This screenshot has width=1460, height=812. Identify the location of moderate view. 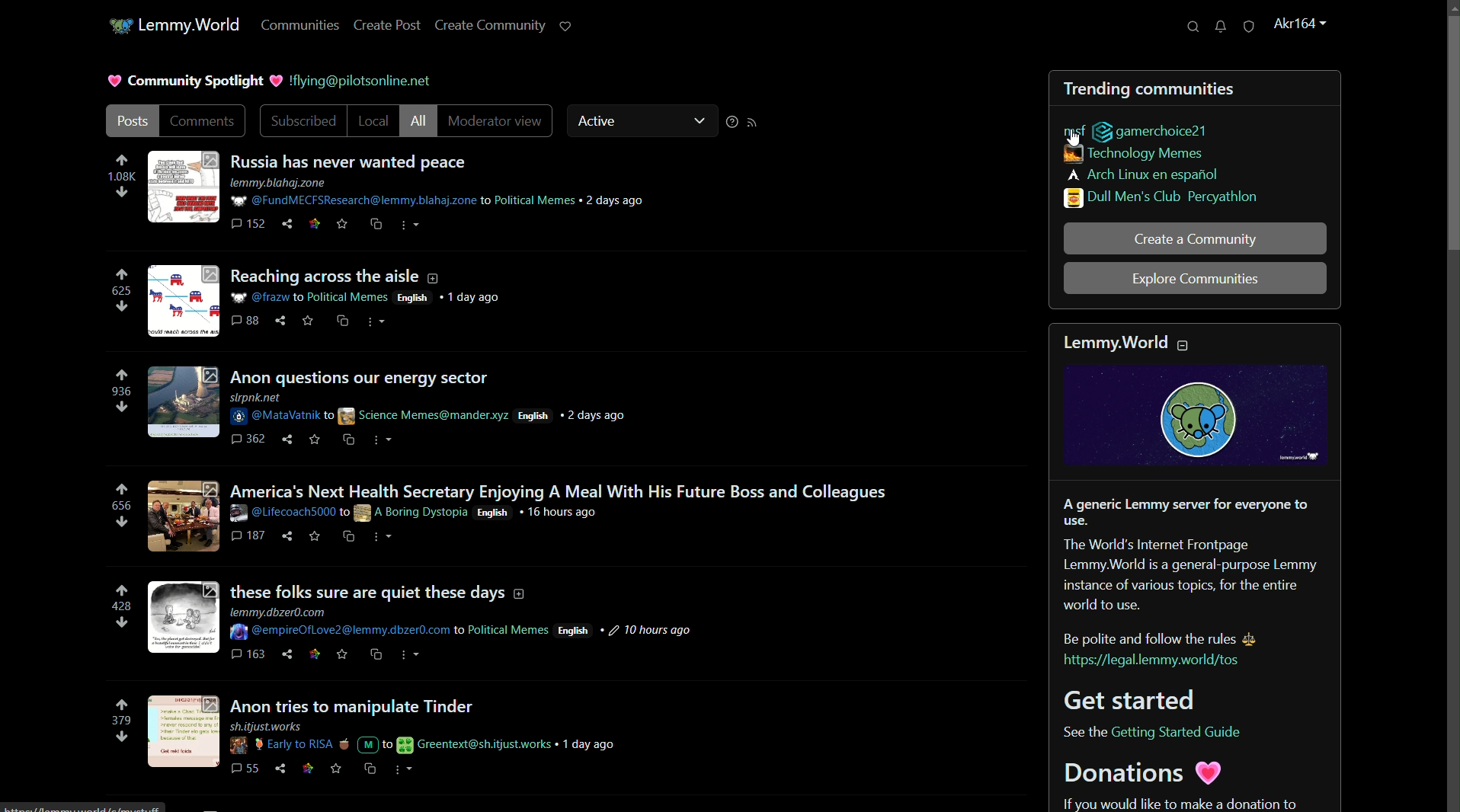
(497, 121).